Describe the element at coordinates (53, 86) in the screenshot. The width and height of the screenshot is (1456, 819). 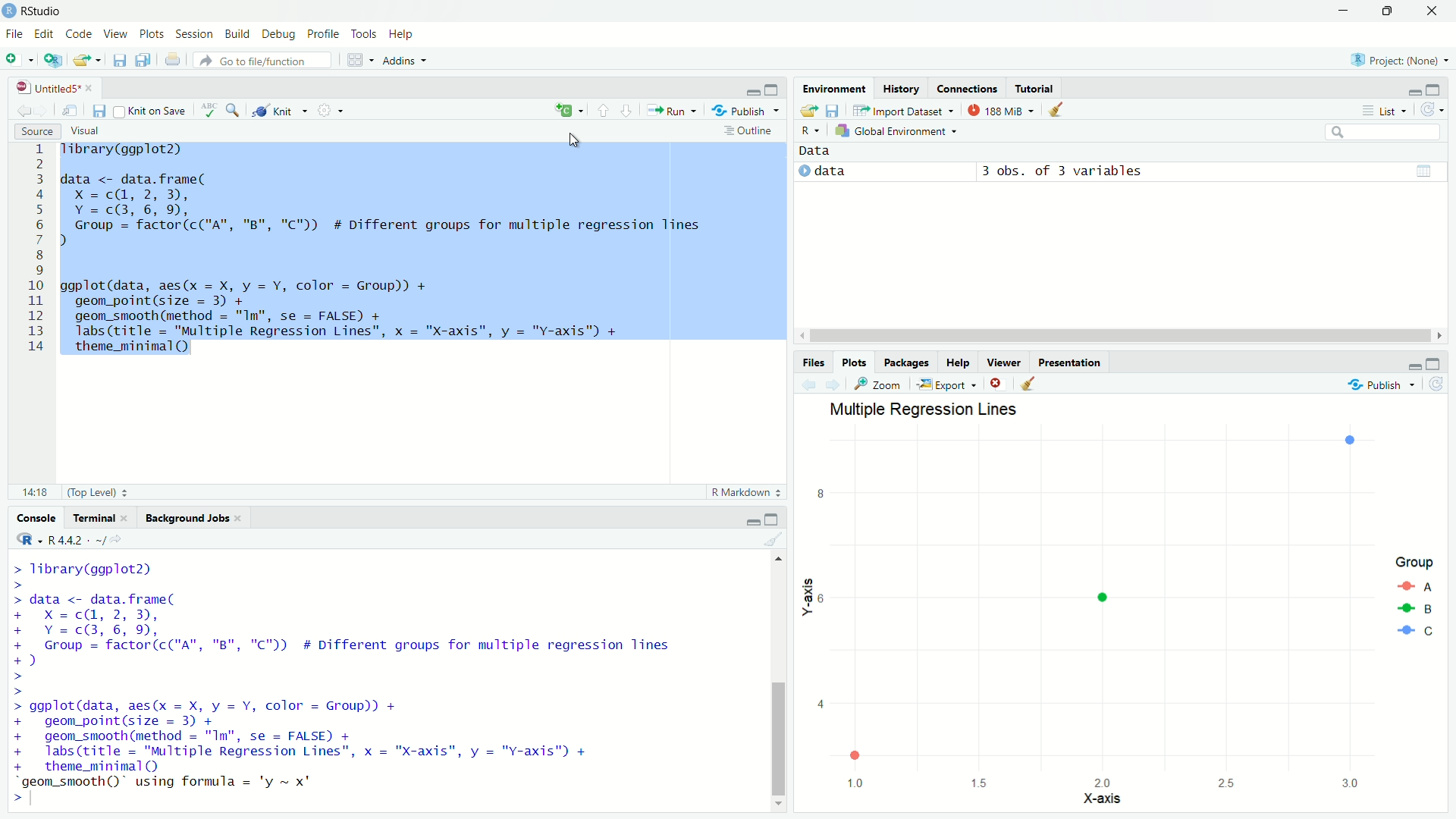
I see `| UntitledS* «` at that location.